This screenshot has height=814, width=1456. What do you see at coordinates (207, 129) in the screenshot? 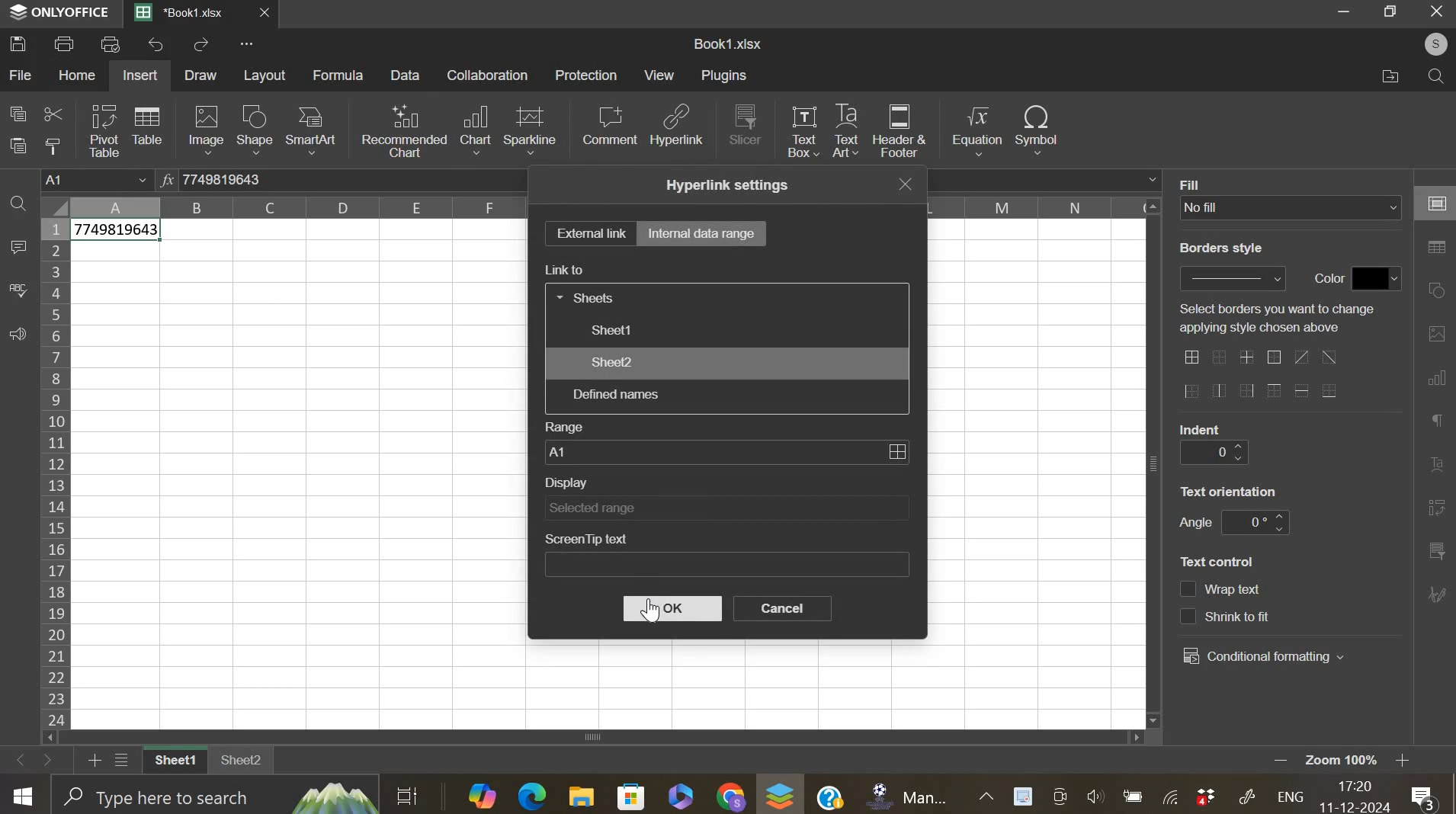
I see `image` at bounding box center [207, 129].